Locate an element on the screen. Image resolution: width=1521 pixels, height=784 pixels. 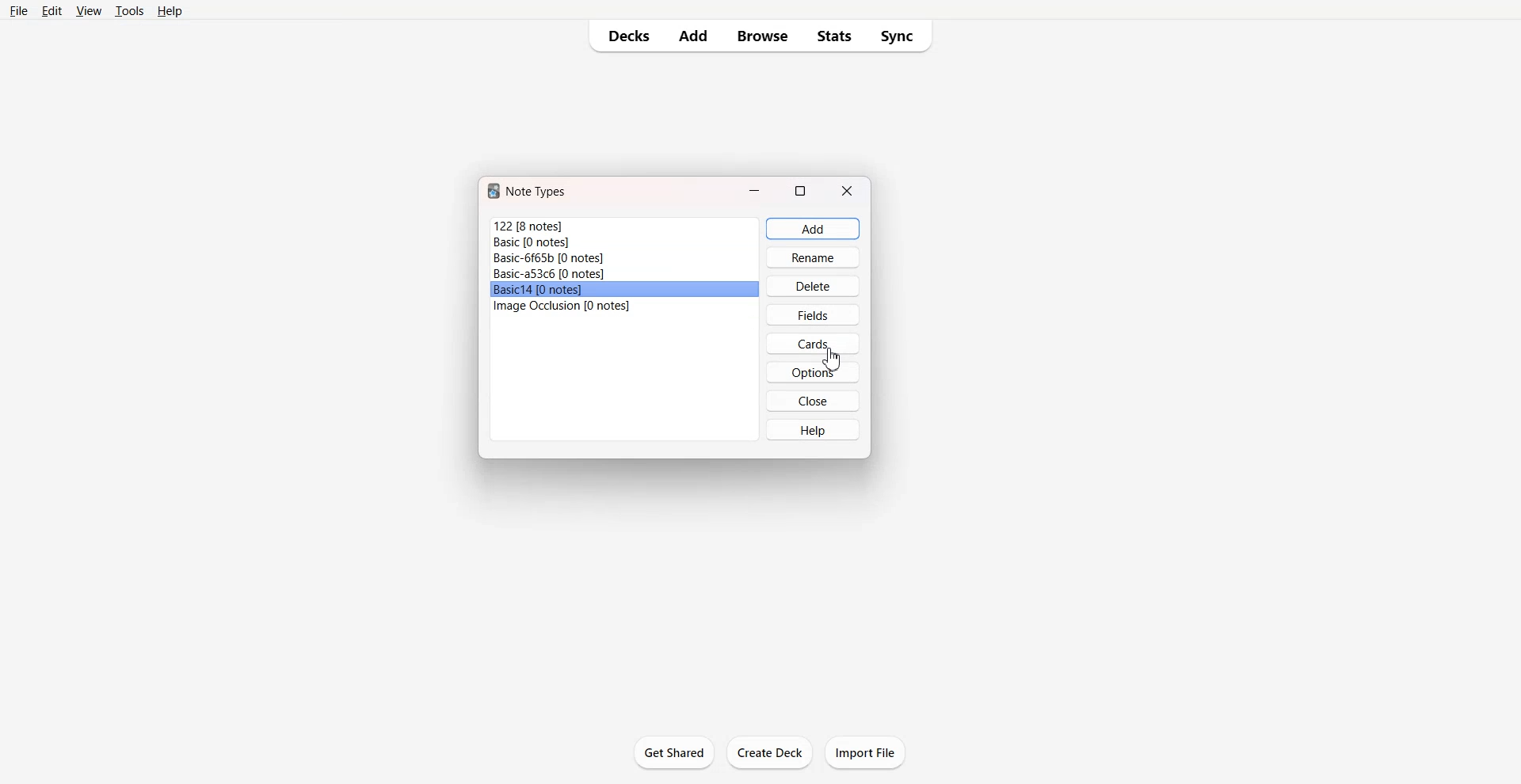
Help is located at coordinates (170, 11).